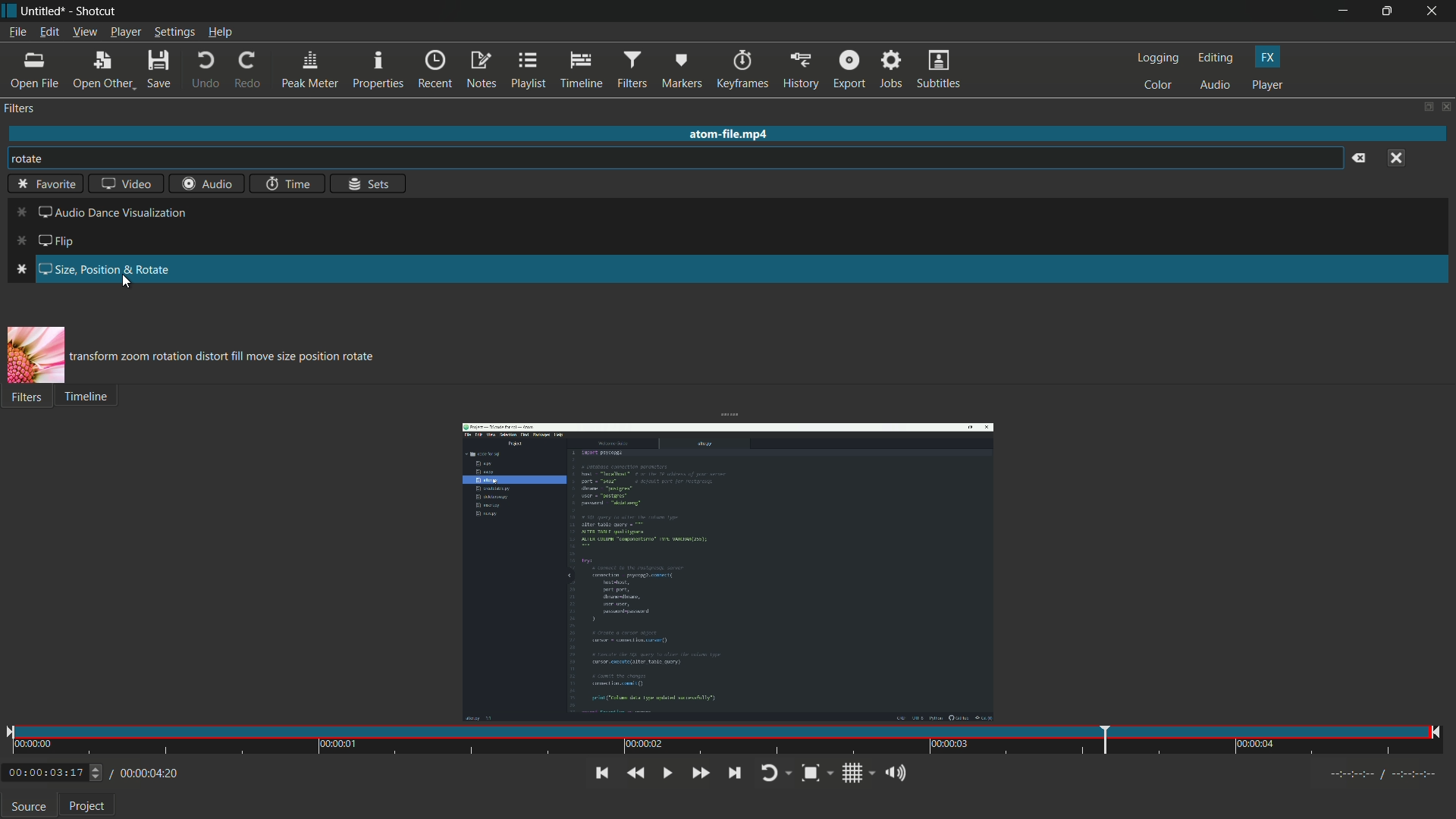 The image size is (1456, 819). Describe the element at coordinates (742, 135) in the screenshot. I see `atom-file.mp4 (imported video name)` at that location.